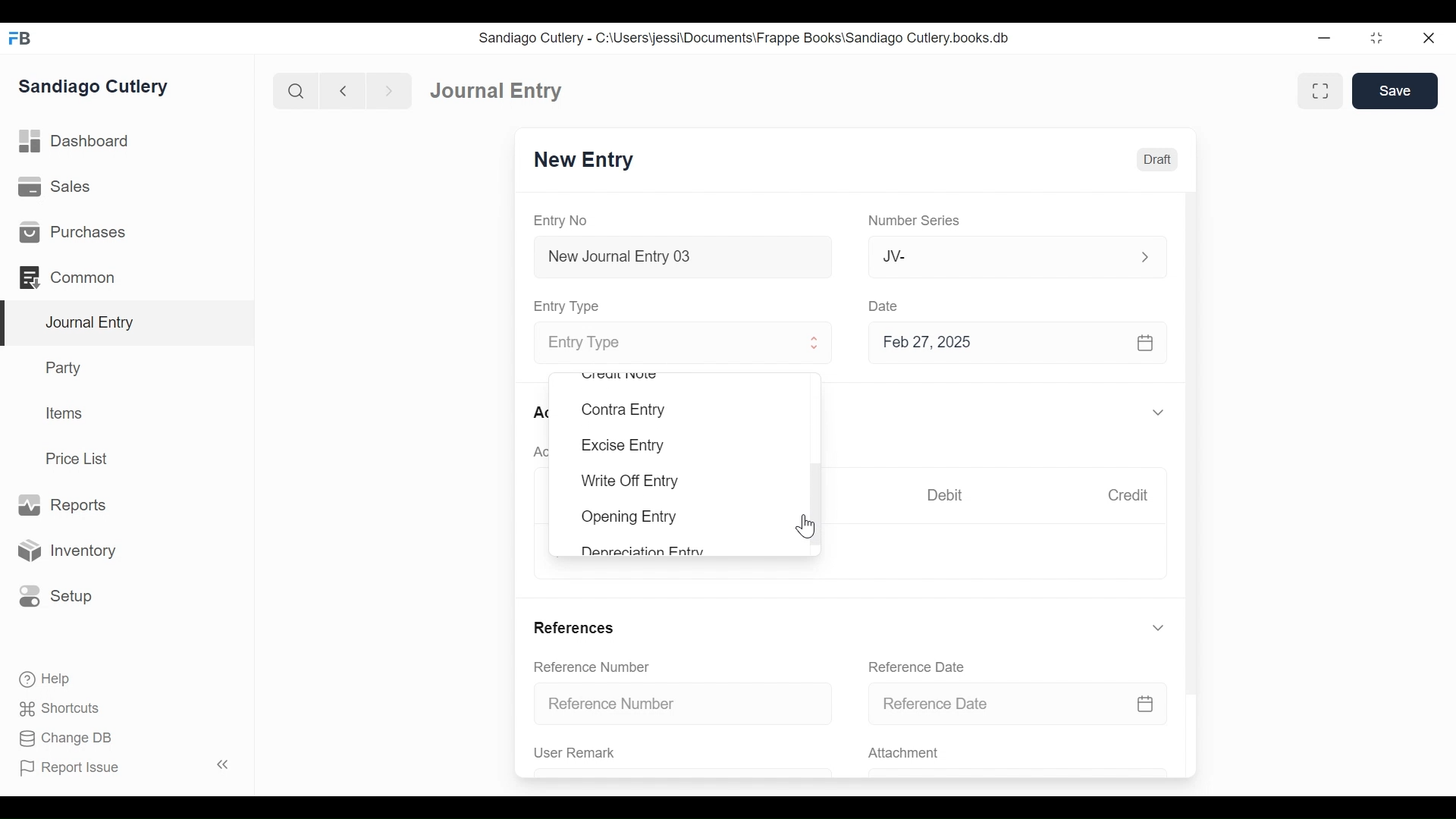  What do you see at coordinates (80, 458) in the screenshot?
I see `Price List` at bounding box center [80, 458].